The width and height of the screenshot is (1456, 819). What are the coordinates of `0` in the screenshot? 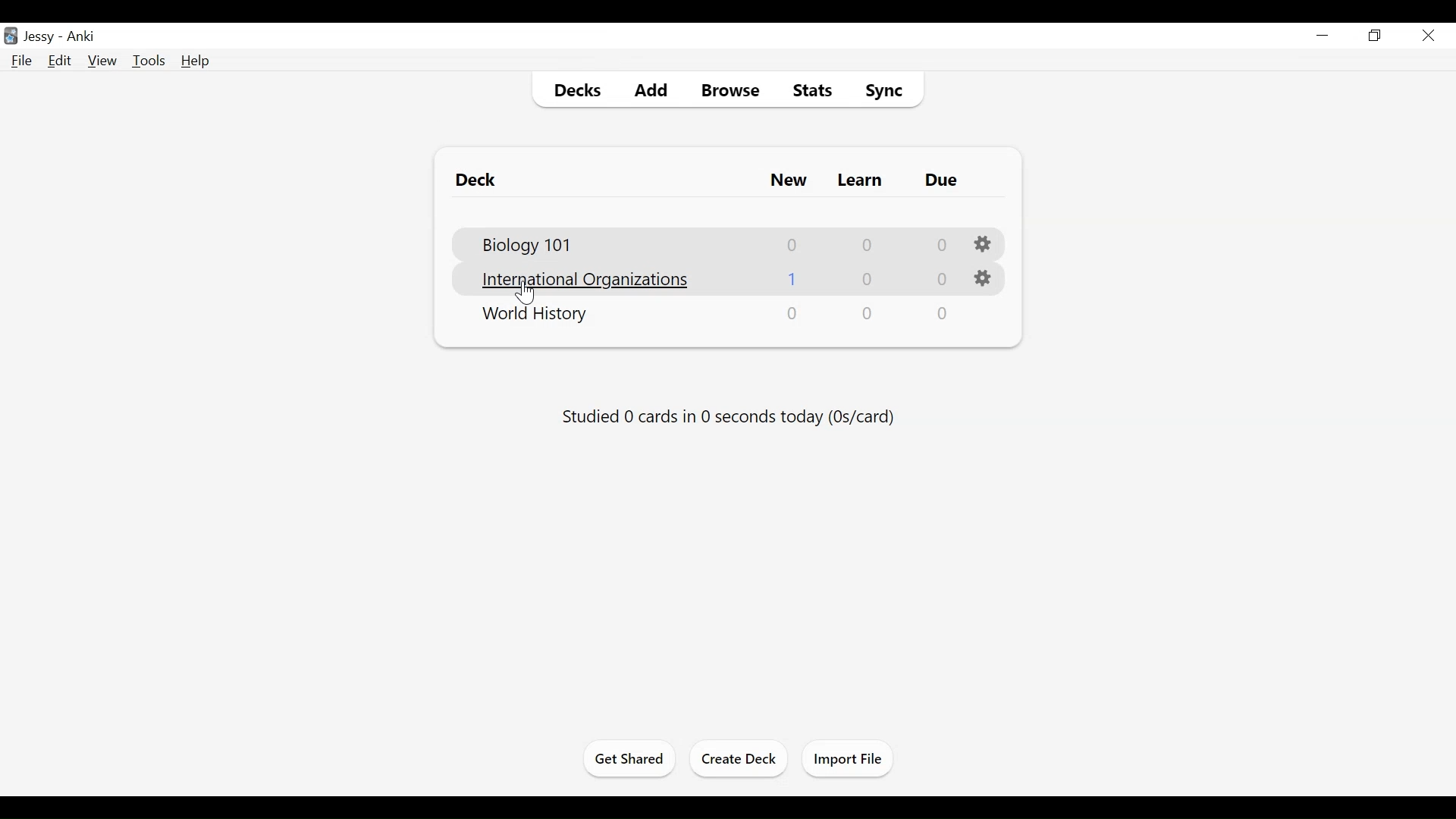 It's located at (870, 314).